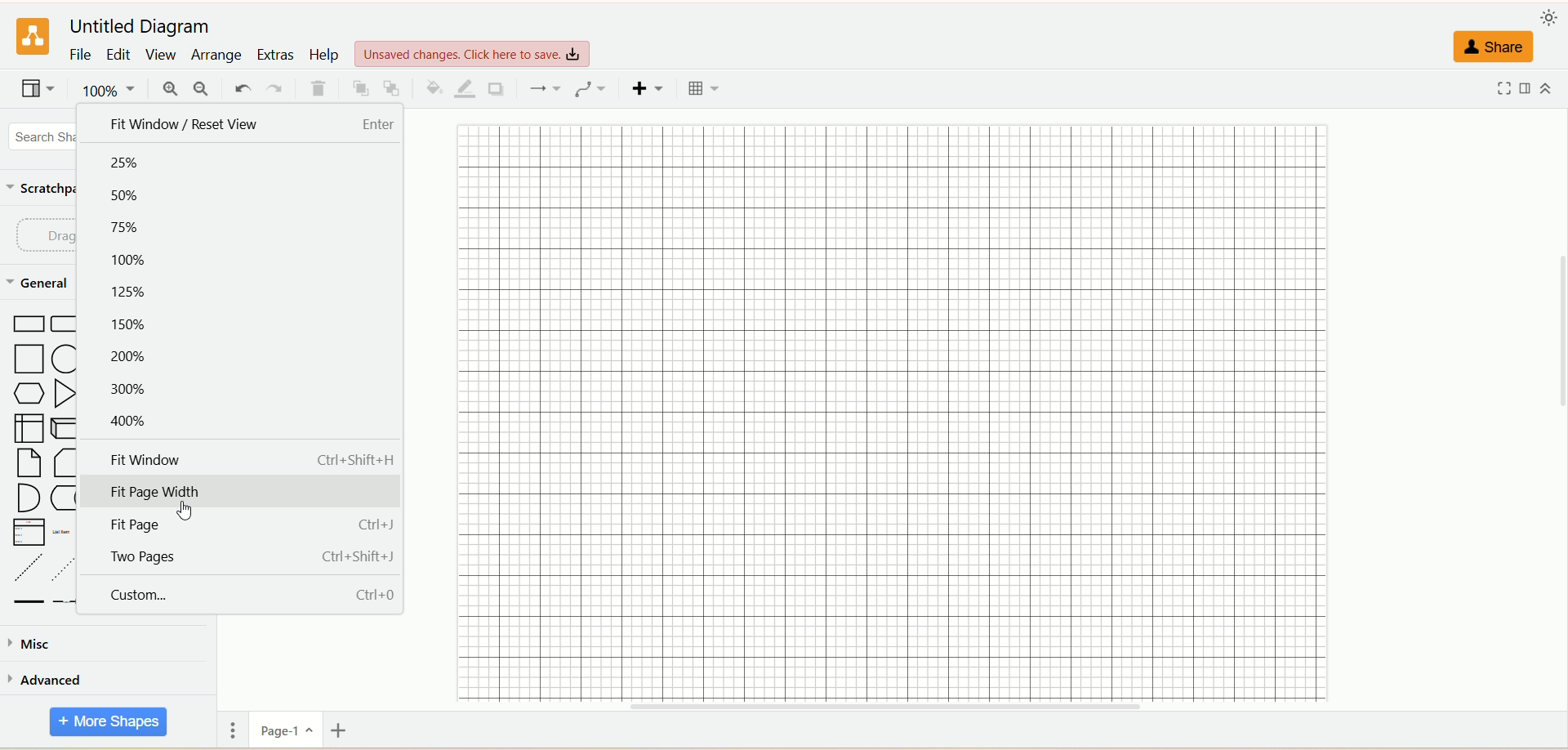 The image size is (1568, 750). What do you see at coordinates (26, 532) in the screenshot?
I see `list` at bounding box center [26, 532].